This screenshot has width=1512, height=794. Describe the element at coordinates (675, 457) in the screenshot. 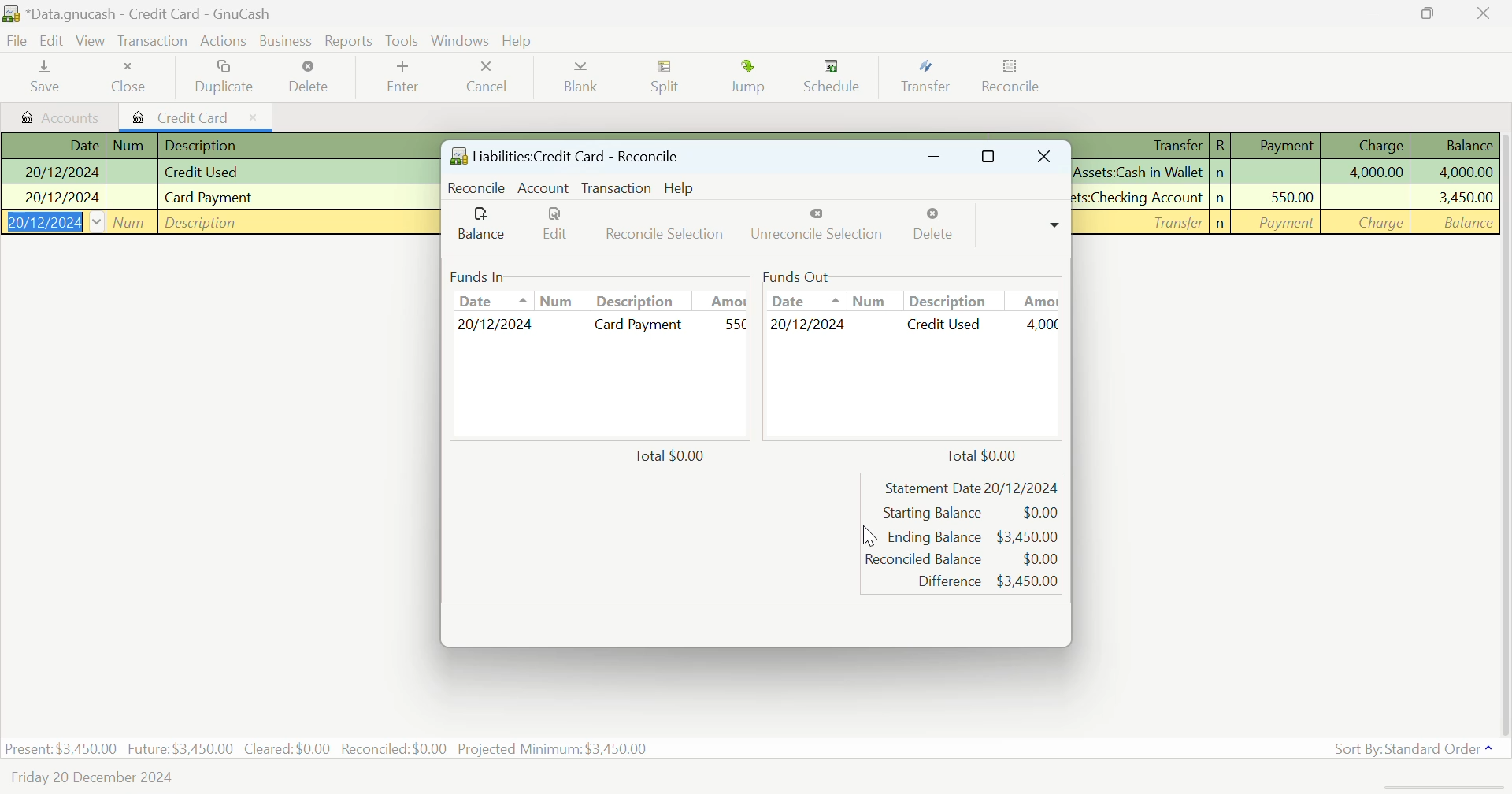

I see `Total $0.00` at that location.